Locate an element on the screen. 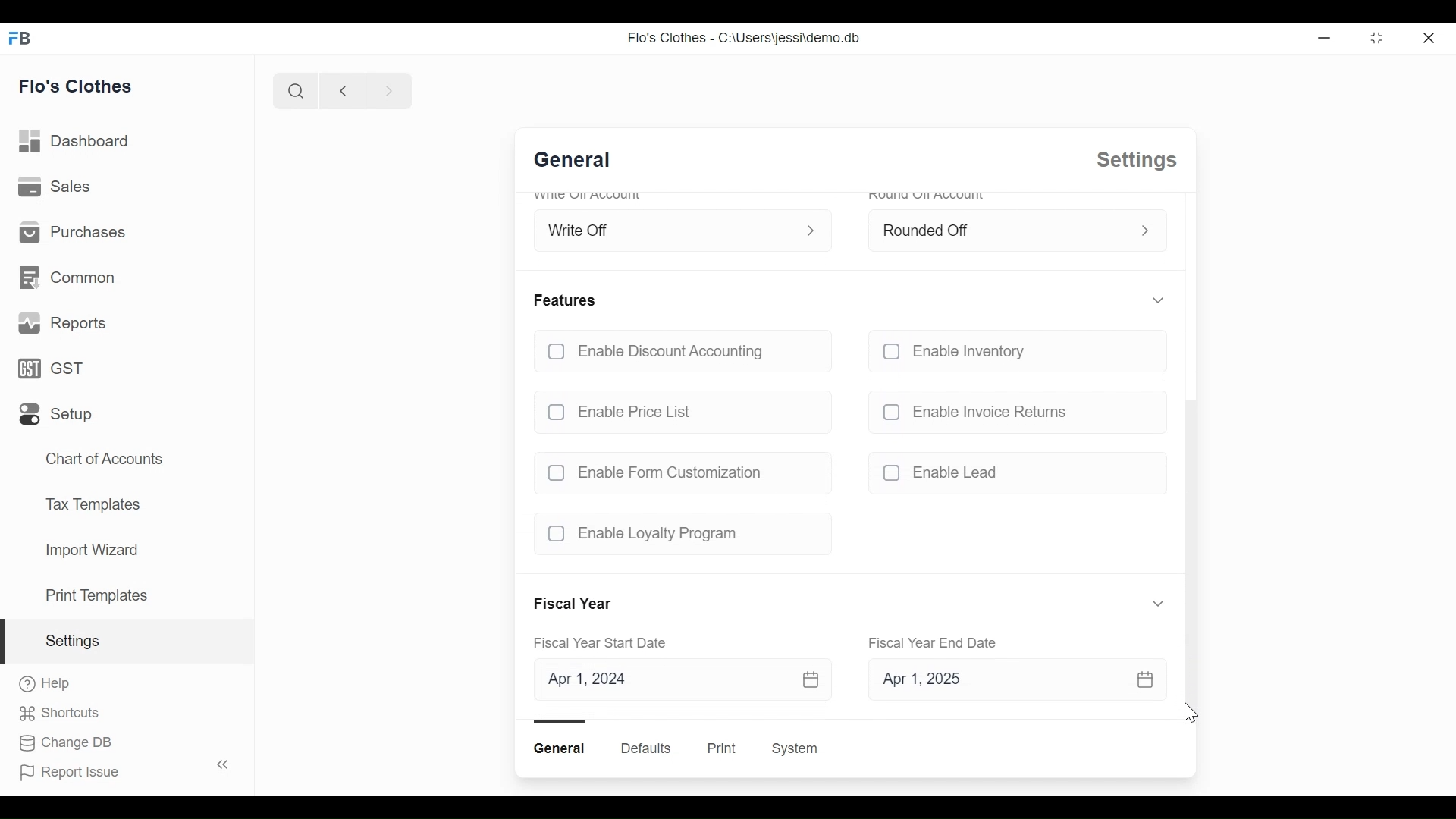 The image size is (1456, 819). Tax Templates is located at coordinates (93, 504).